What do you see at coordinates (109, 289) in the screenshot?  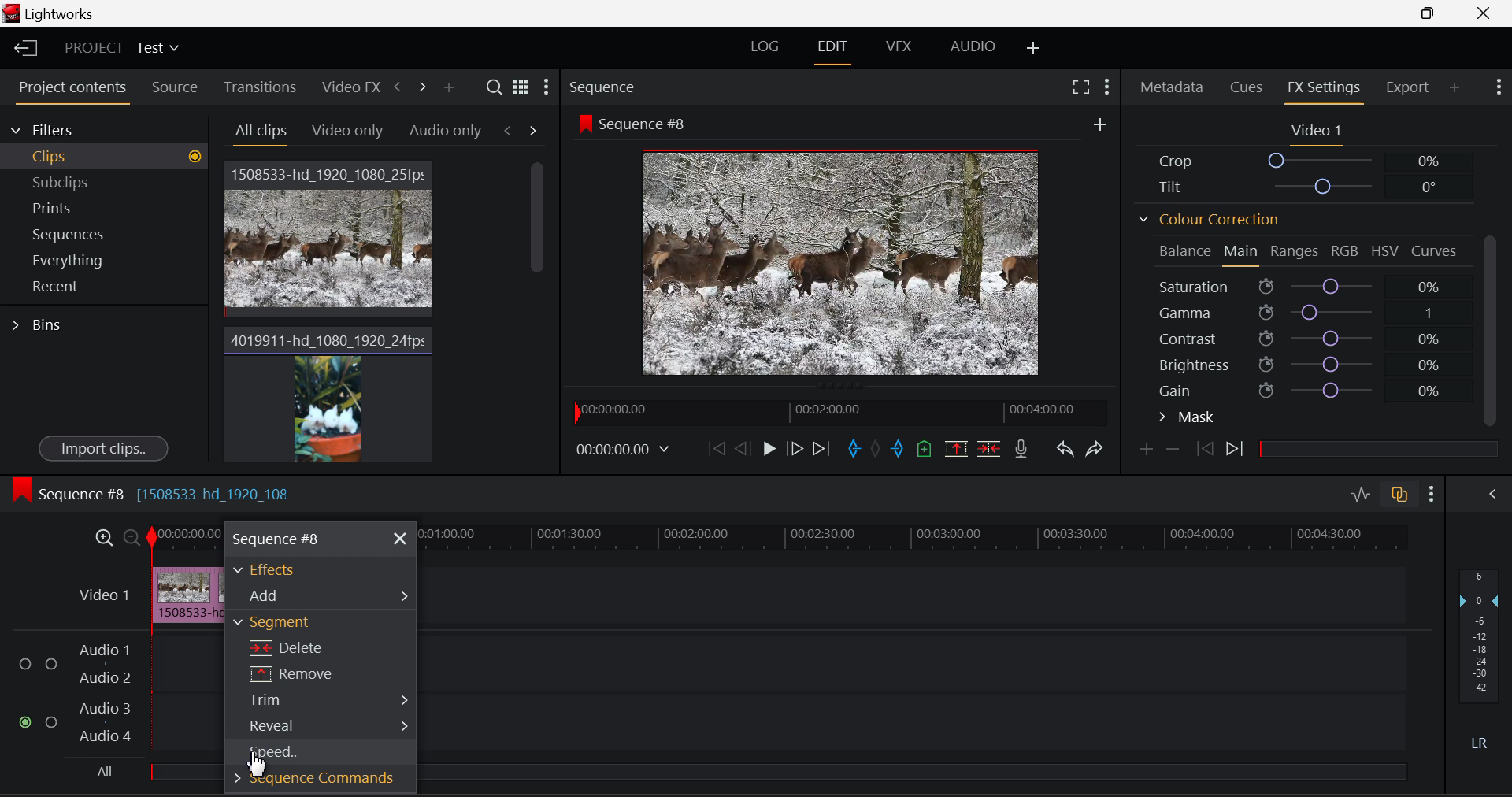 I see `Recent` at bounding box center [109, 289].